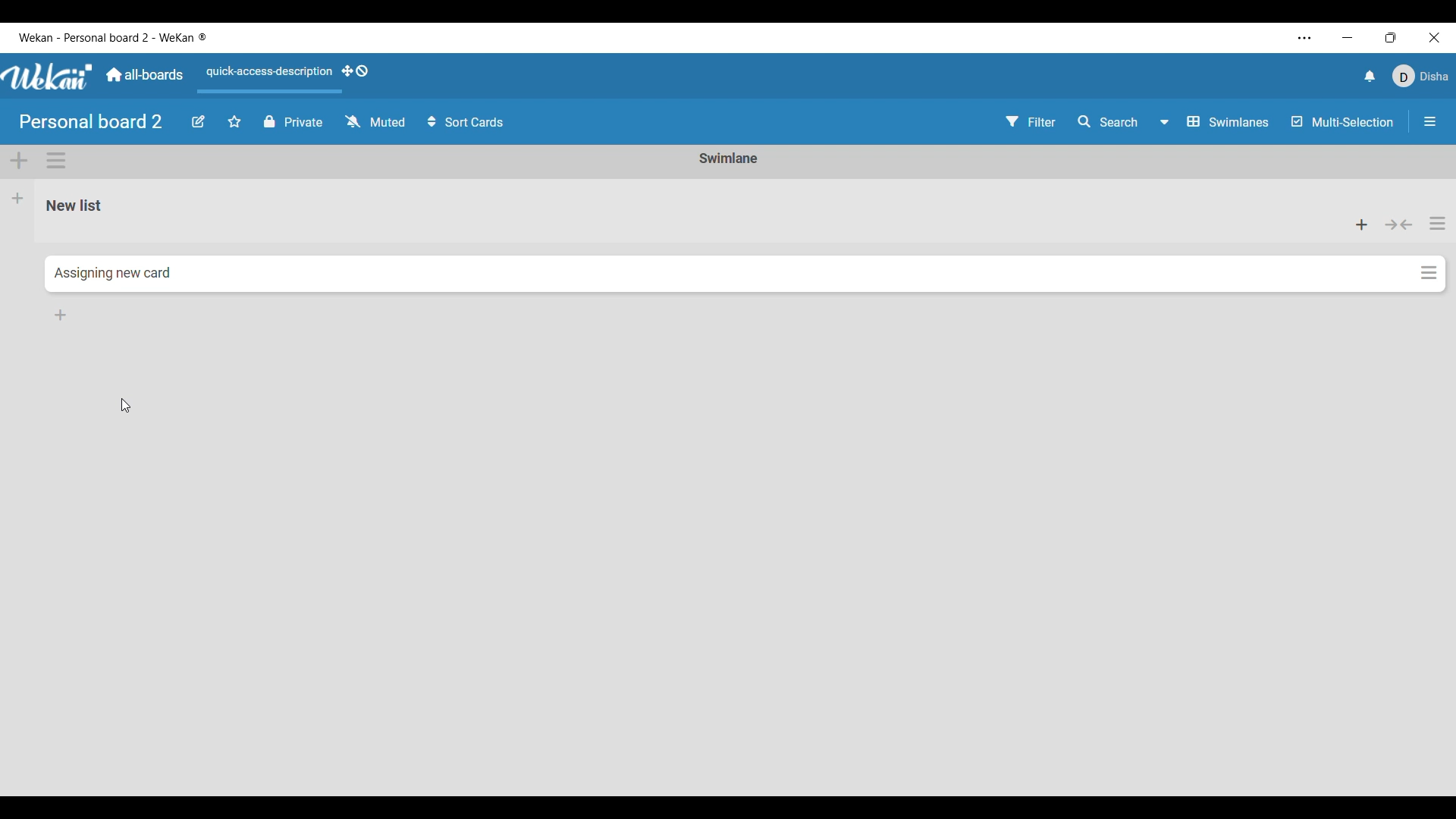 This screenshot has height=819, width=1456. I want to click on Watch options, so click(375, 121).